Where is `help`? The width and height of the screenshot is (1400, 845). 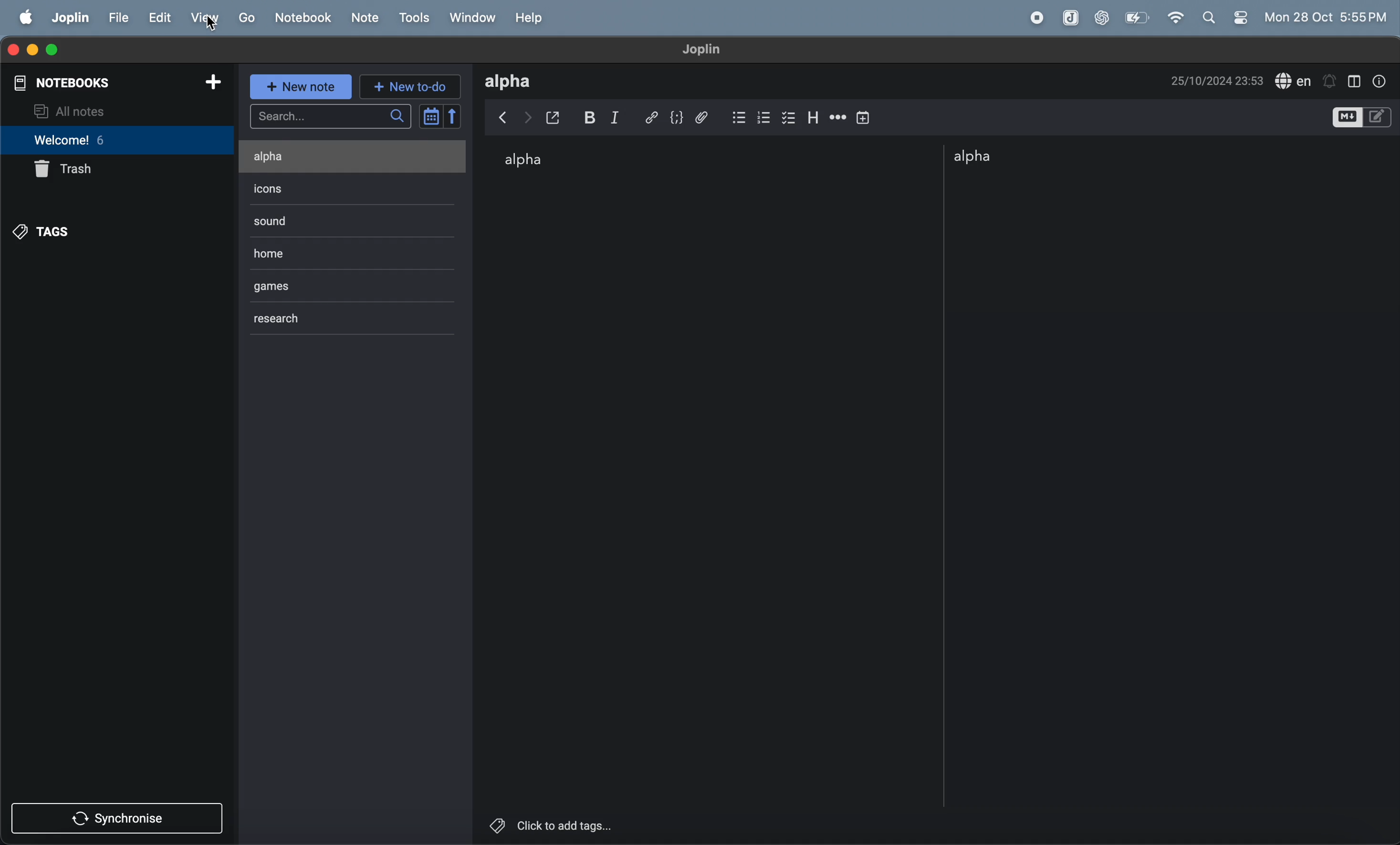 help is located at coordinates (532, 18).